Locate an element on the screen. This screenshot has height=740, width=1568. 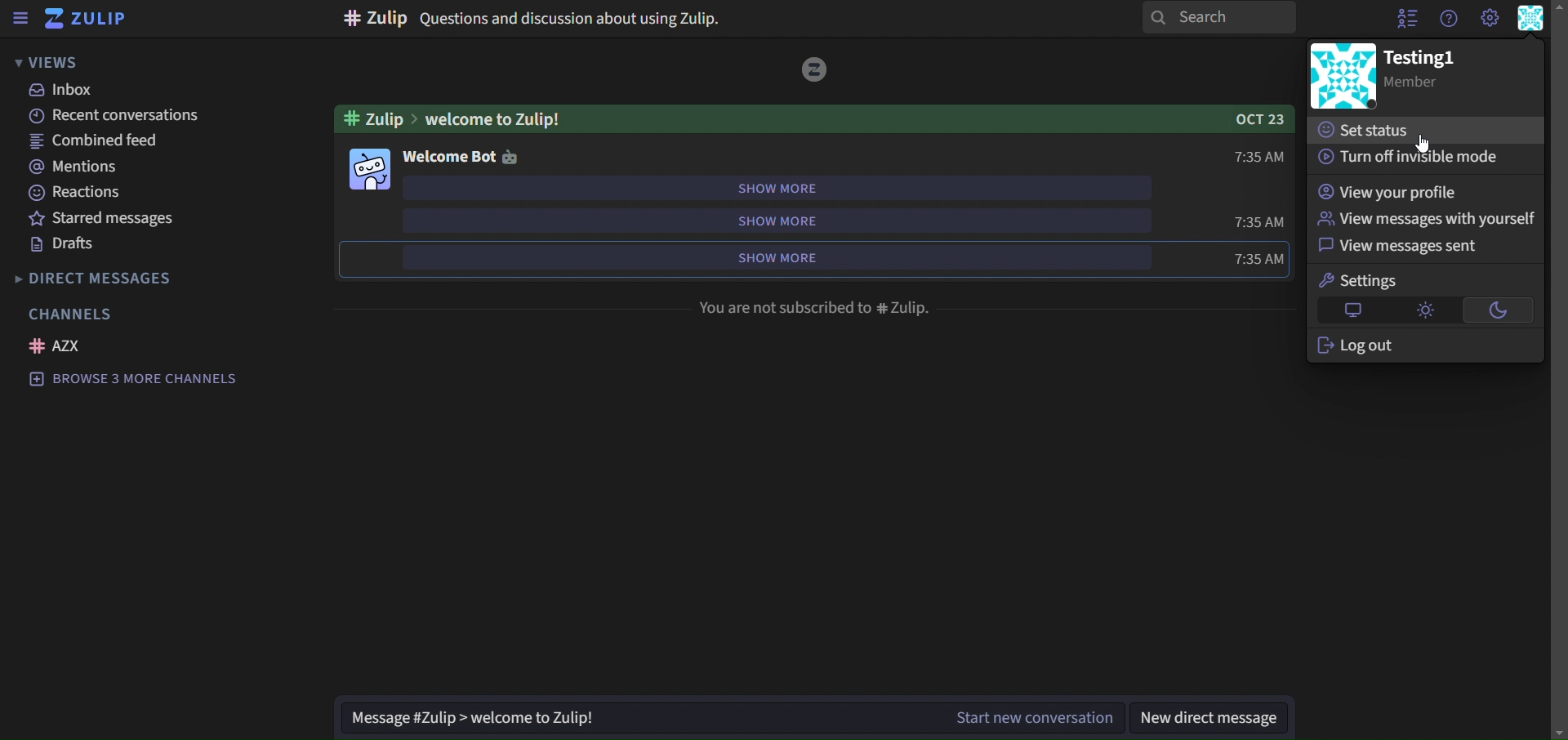
reactions is located at coordinates (77, 194).